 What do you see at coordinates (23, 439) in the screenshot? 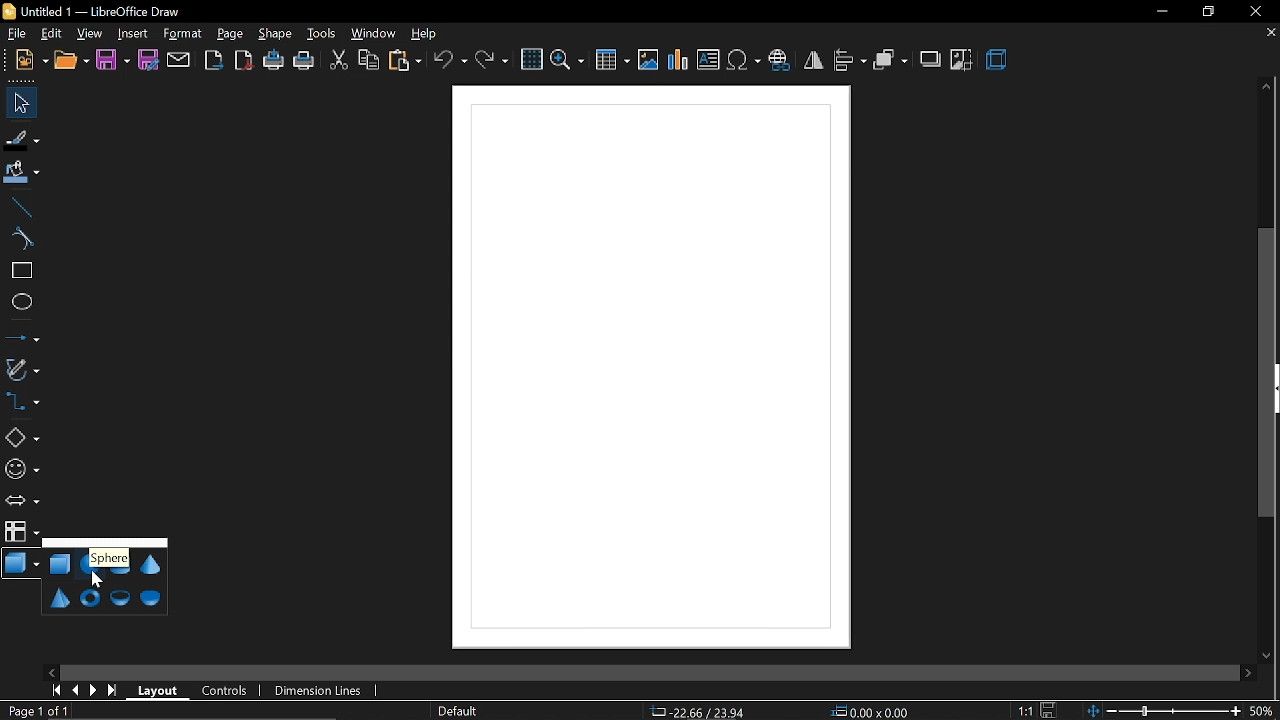
I see `basic shapes` at bounding box center [23, 439].